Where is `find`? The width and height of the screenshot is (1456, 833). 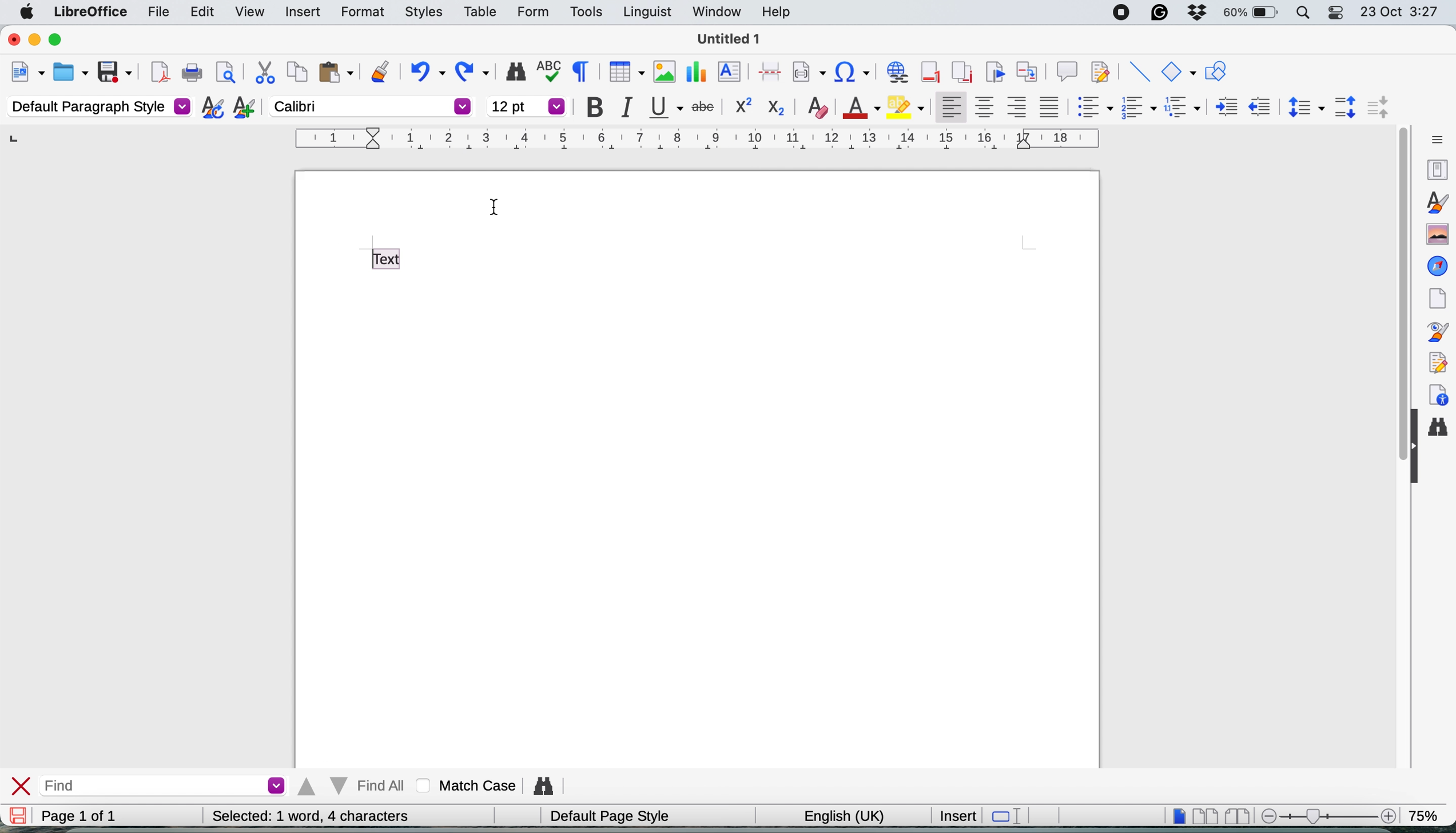
find is located at coordinates (162, 784).